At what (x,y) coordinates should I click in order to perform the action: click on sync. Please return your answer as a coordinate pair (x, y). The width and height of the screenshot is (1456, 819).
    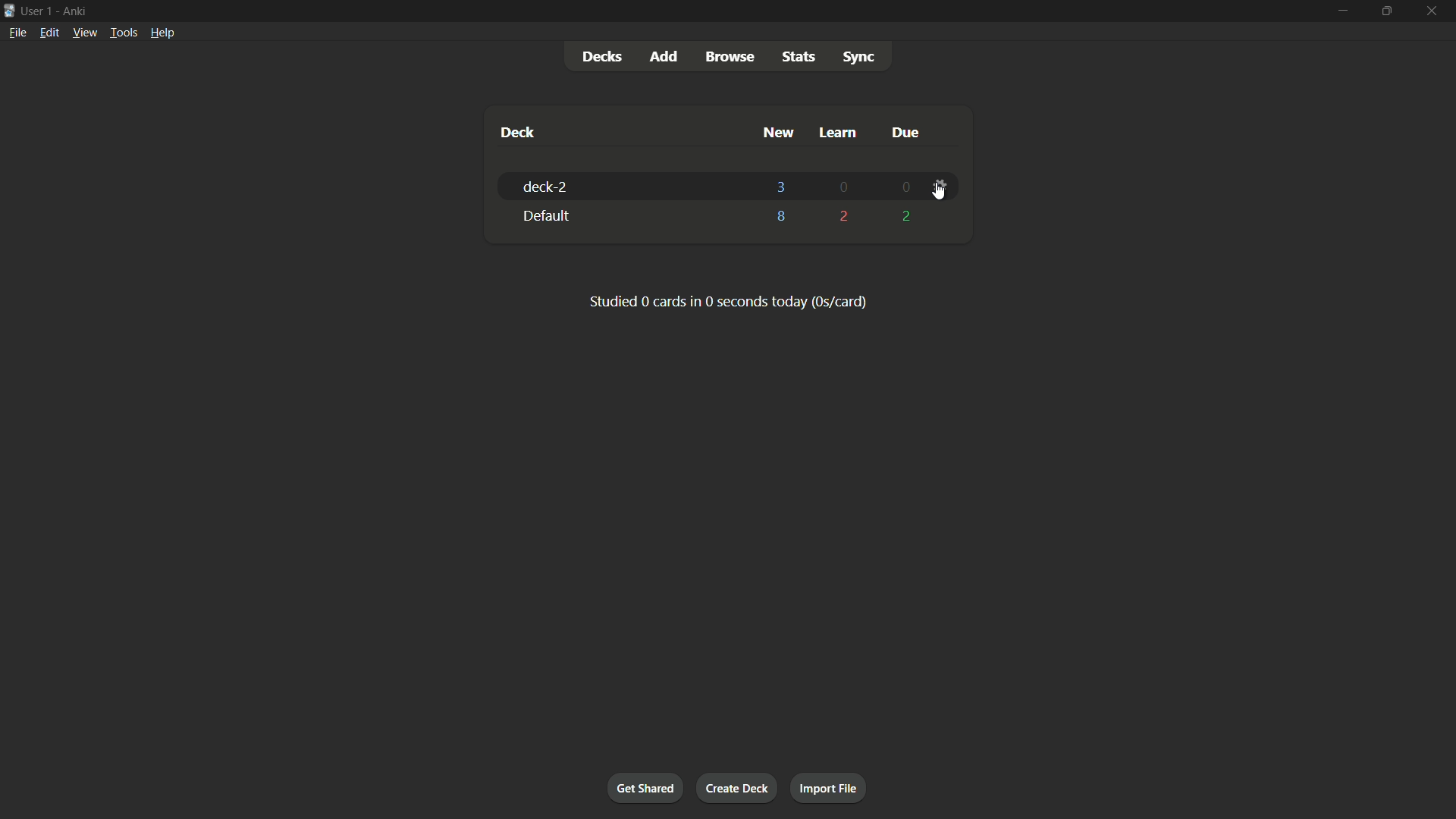
    Looking at the image, I should click on (859, 58).